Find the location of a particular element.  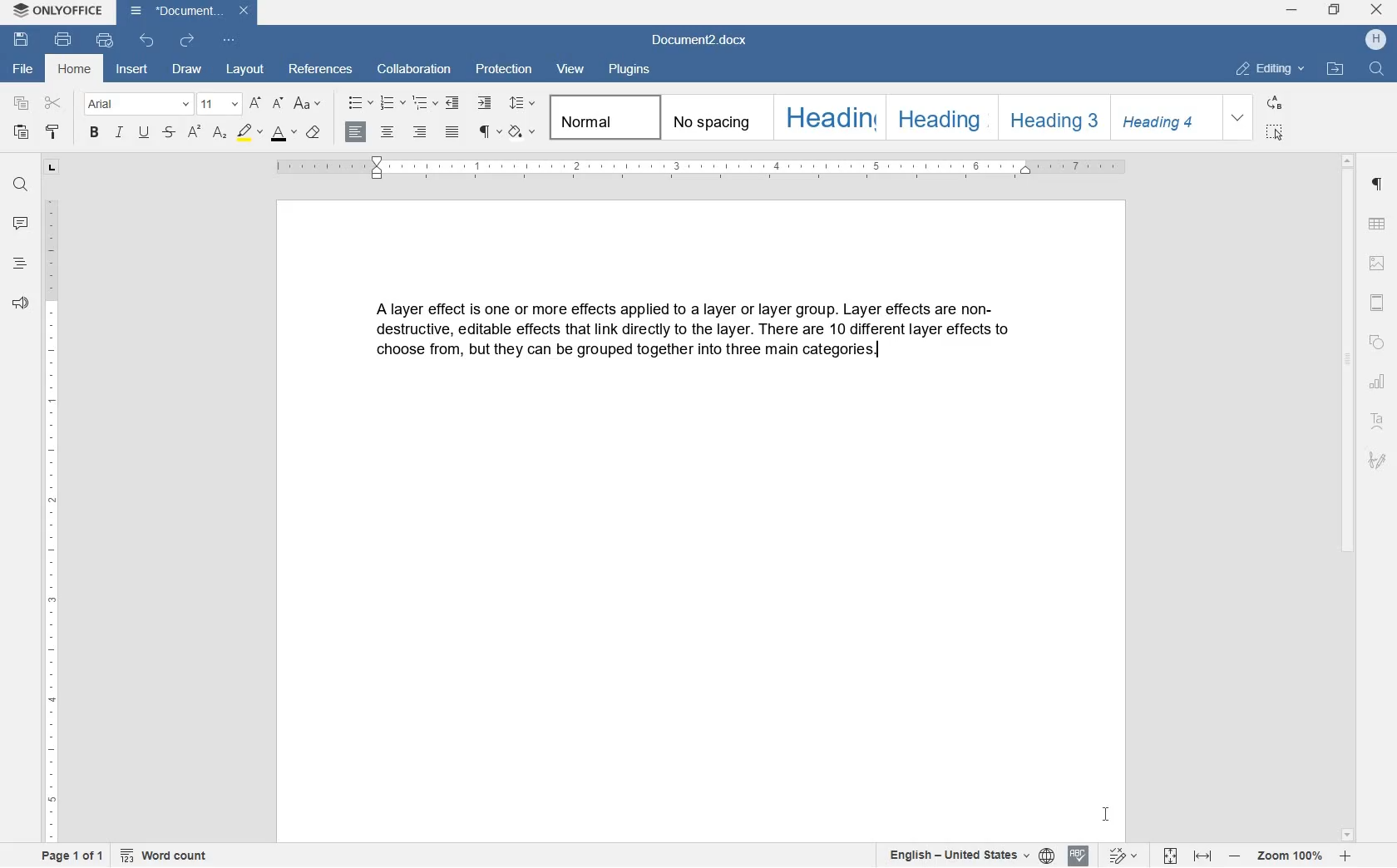

chart is located at coordinates (1377, 381).